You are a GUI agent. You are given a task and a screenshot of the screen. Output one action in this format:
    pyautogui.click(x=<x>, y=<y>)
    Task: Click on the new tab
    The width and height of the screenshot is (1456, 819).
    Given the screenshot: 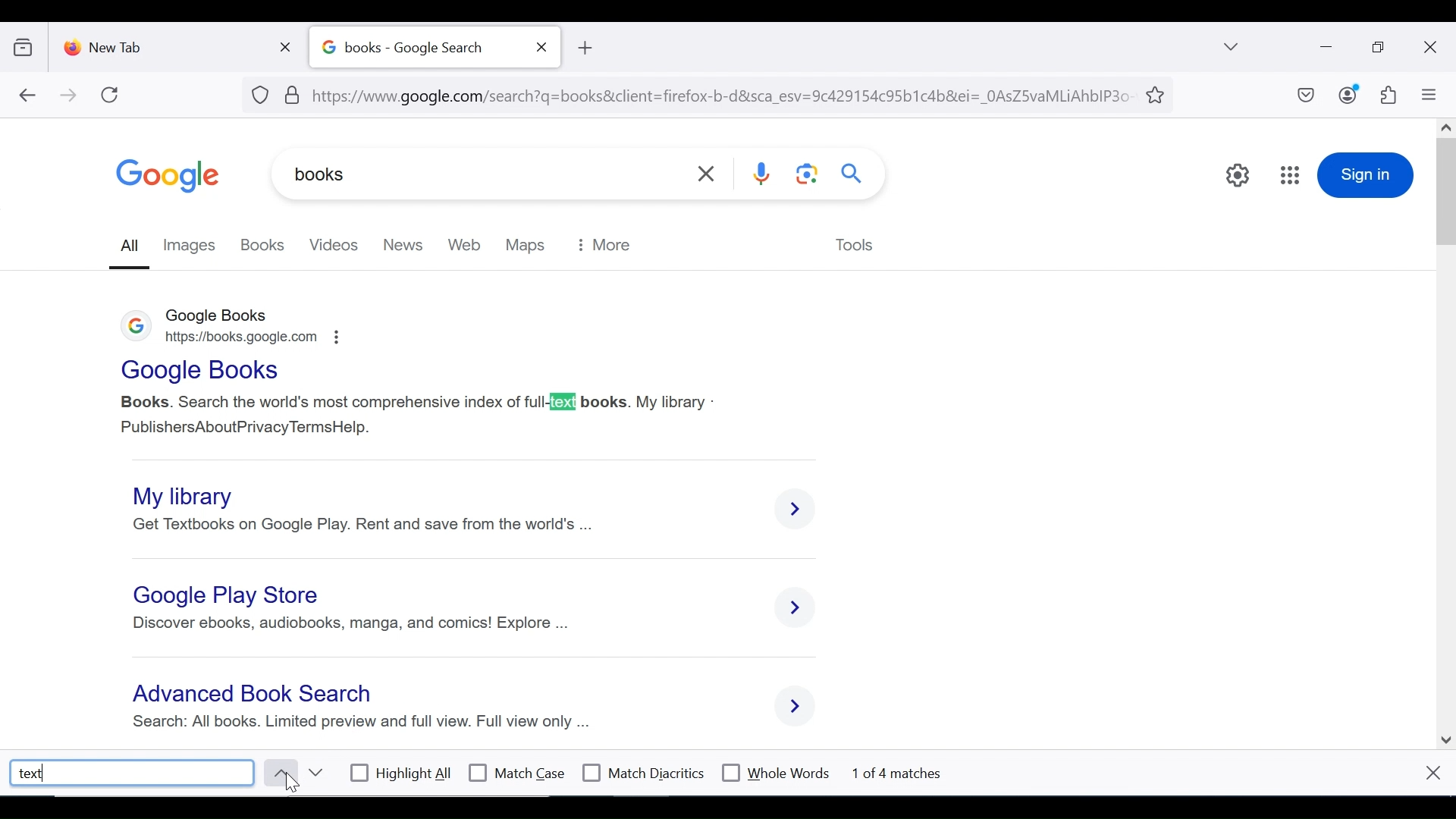 What is the action you would take?
    pyautogui.click(x=163, y=44)
    